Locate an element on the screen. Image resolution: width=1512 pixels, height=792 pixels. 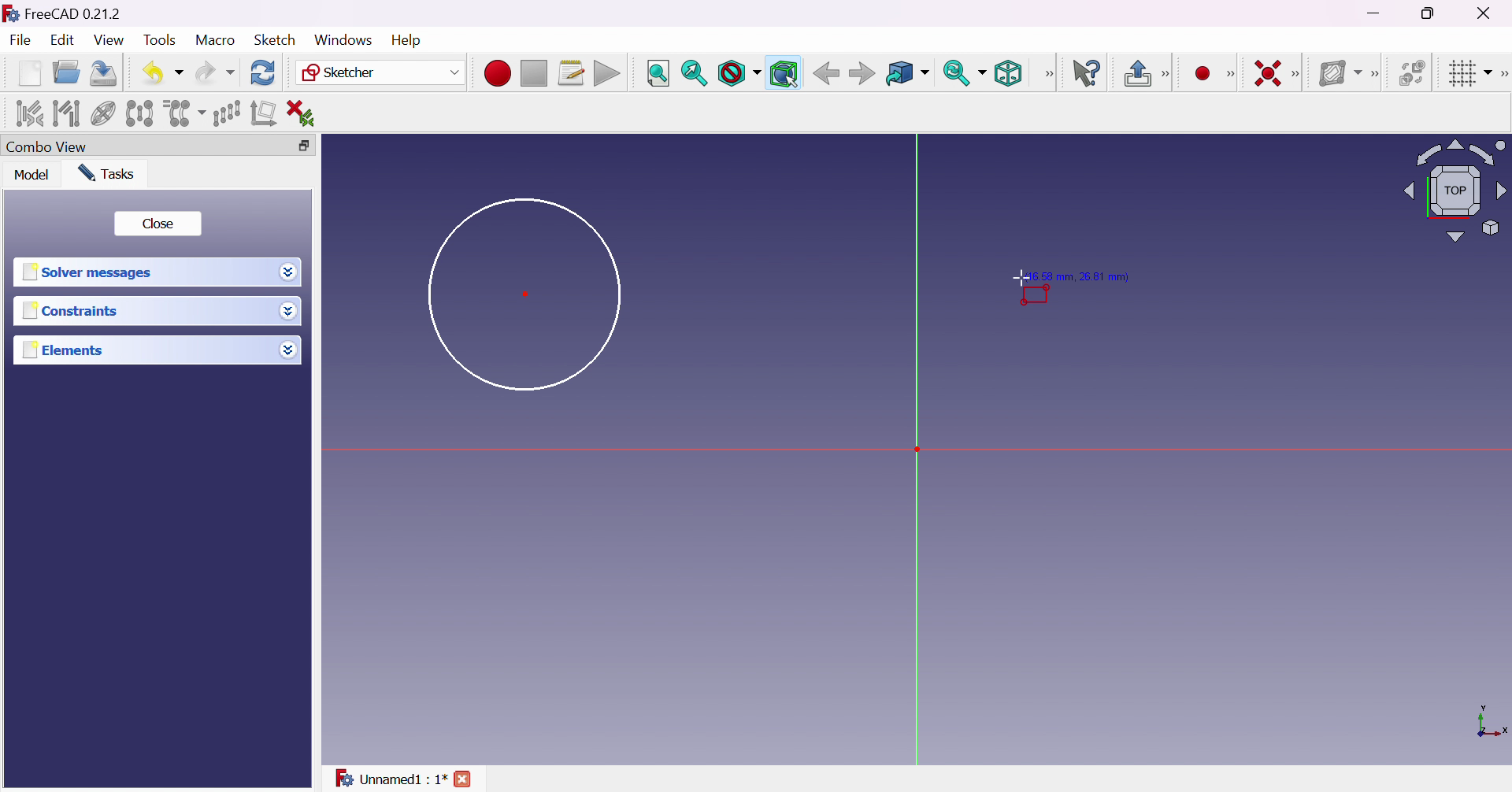
What's this? is located at coordinates (1088, 73).